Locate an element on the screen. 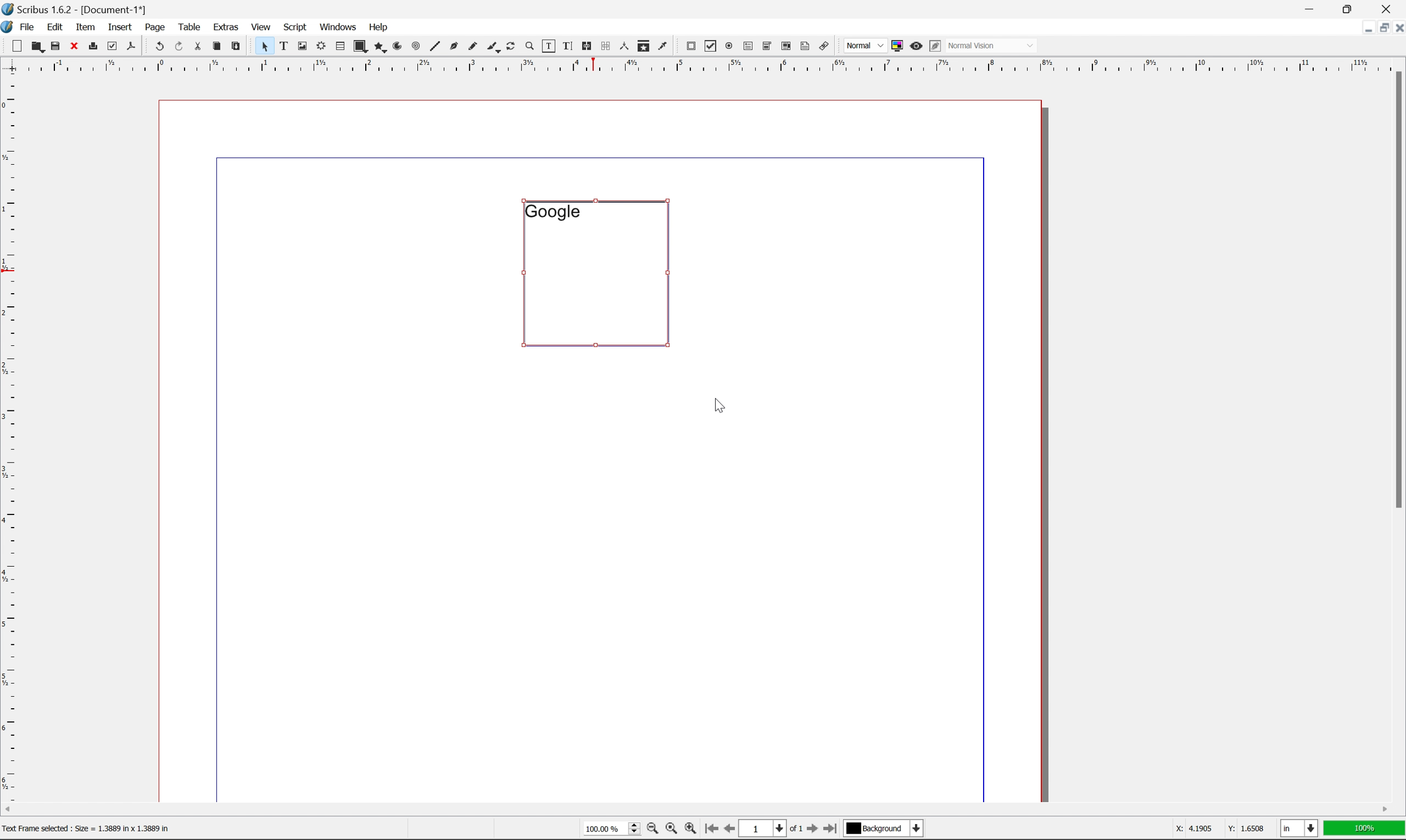  zoom in or zoom out is located at coordinates (531, 47).